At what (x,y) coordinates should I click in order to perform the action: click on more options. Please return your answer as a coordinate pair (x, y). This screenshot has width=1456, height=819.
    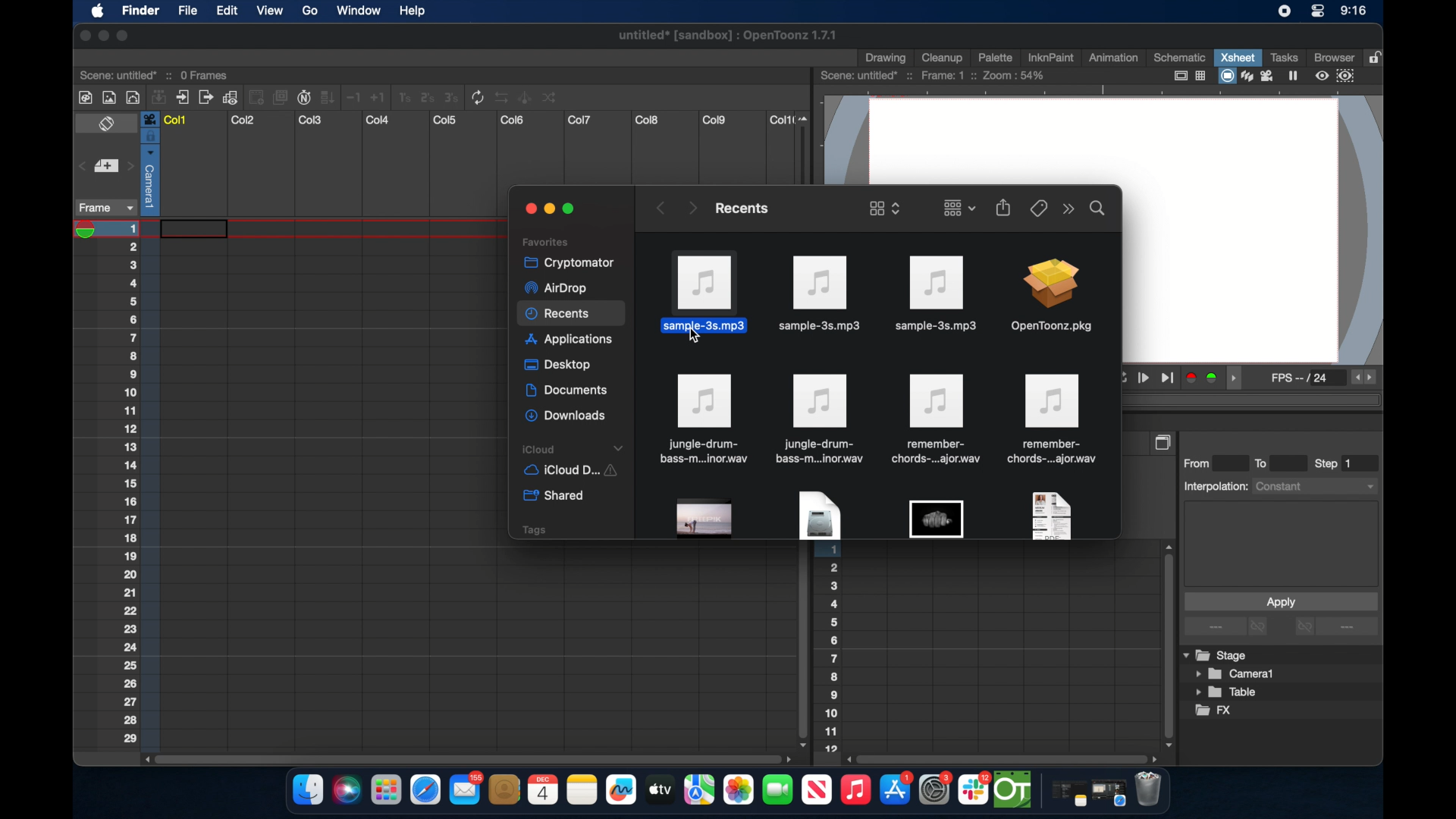
    Looking at the image, I should click on (1336, 628).